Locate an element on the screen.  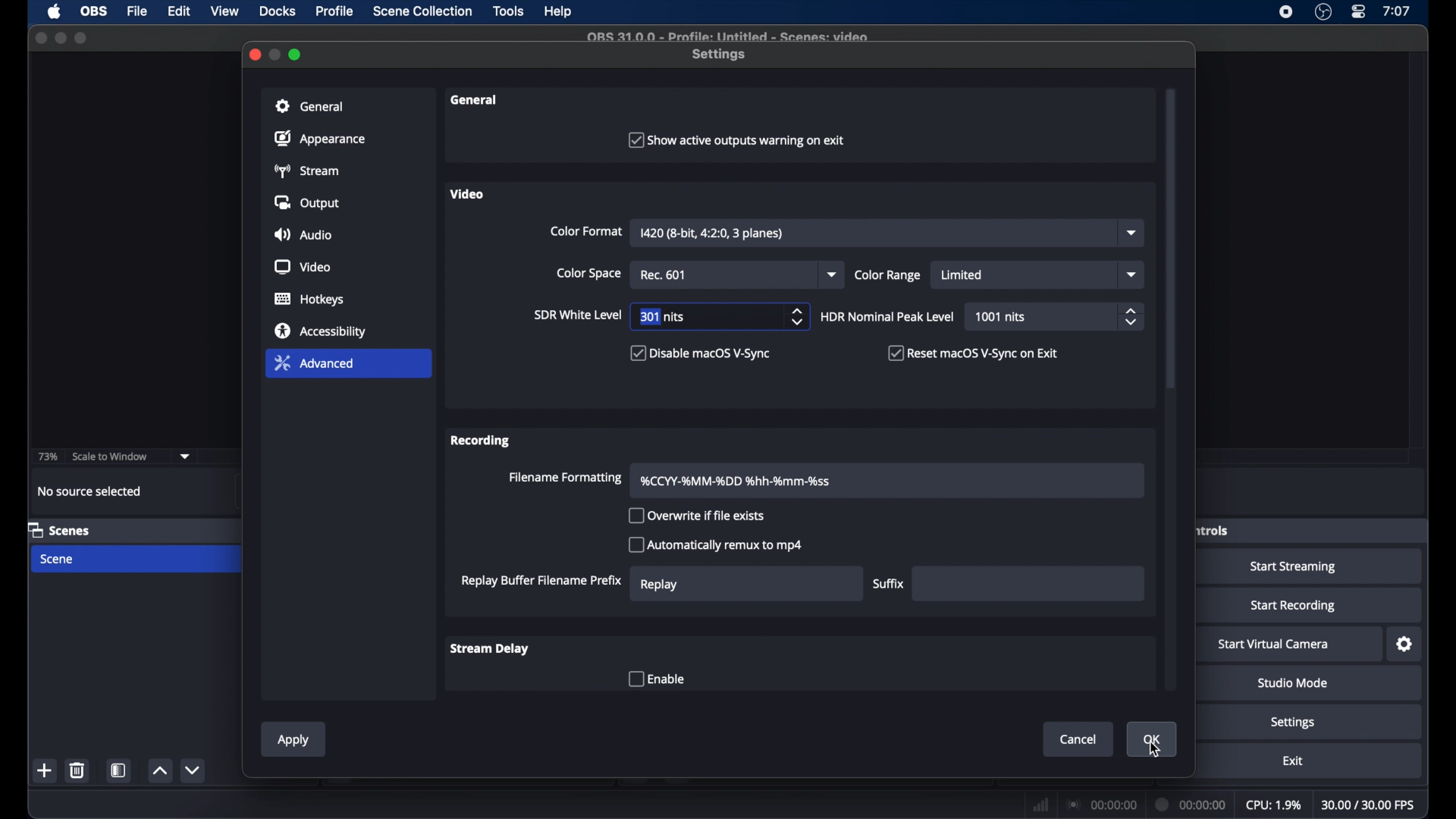
settings is located at coordinates (1405, 645).